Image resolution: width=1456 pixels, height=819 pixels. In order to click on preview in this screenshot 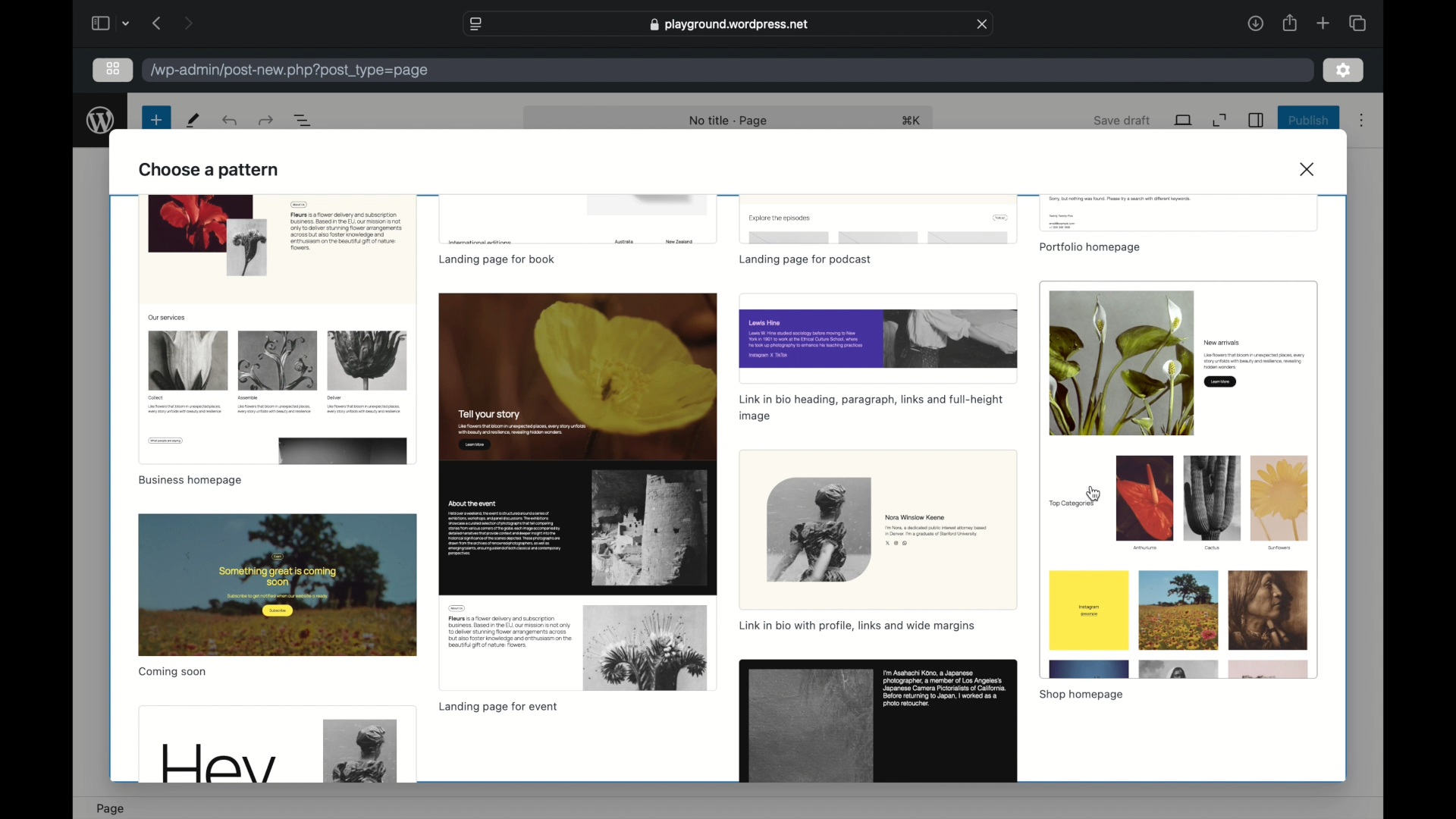, I will do `click(879, 337)`.